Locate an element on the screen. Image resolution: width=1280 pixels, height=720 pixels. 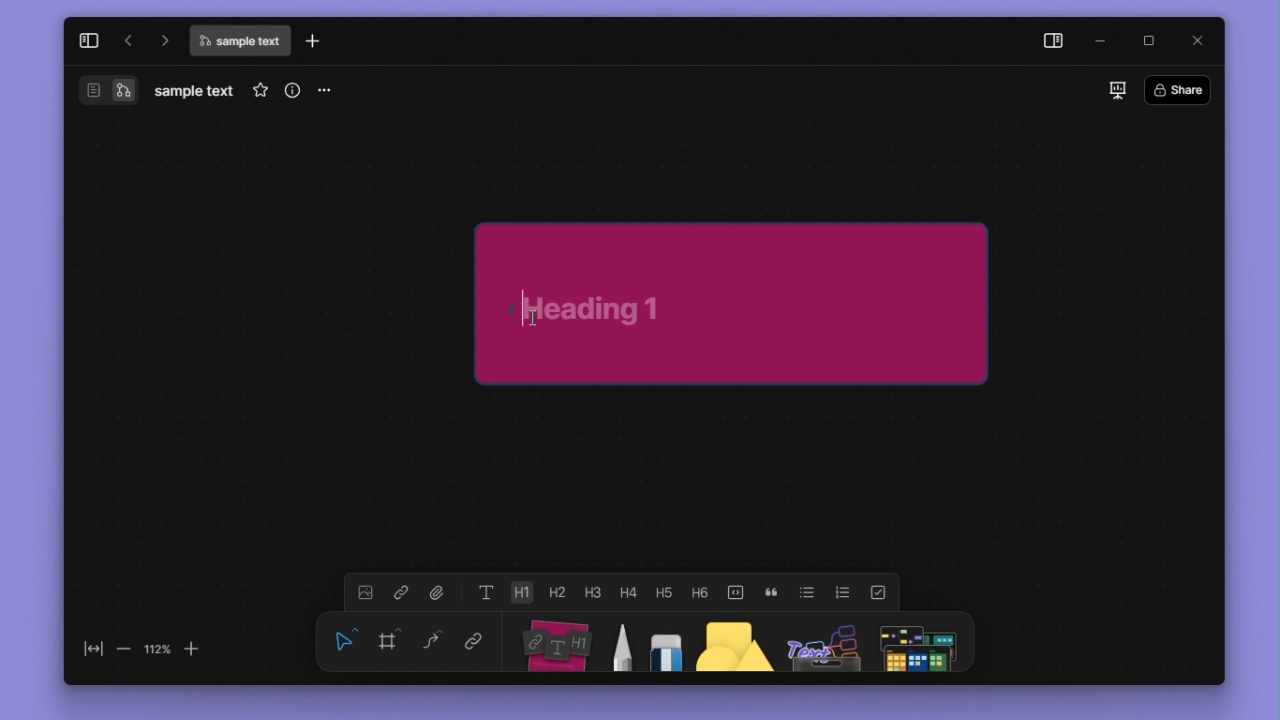
Heading 2 is located at coordinates (556, 592).